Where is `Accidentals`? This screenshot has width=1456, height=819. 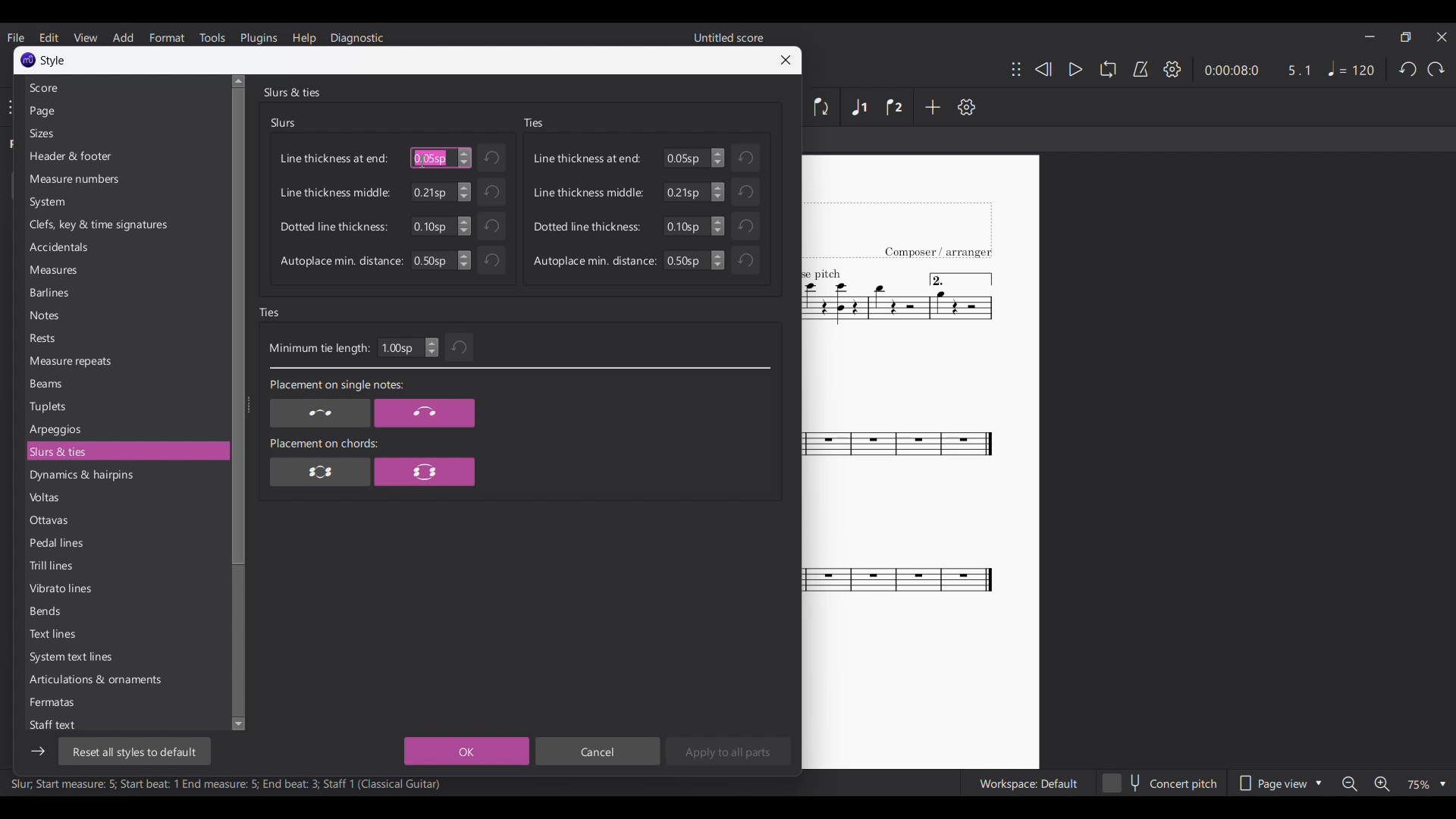 Accidentals is located at coordinates (124, 247).